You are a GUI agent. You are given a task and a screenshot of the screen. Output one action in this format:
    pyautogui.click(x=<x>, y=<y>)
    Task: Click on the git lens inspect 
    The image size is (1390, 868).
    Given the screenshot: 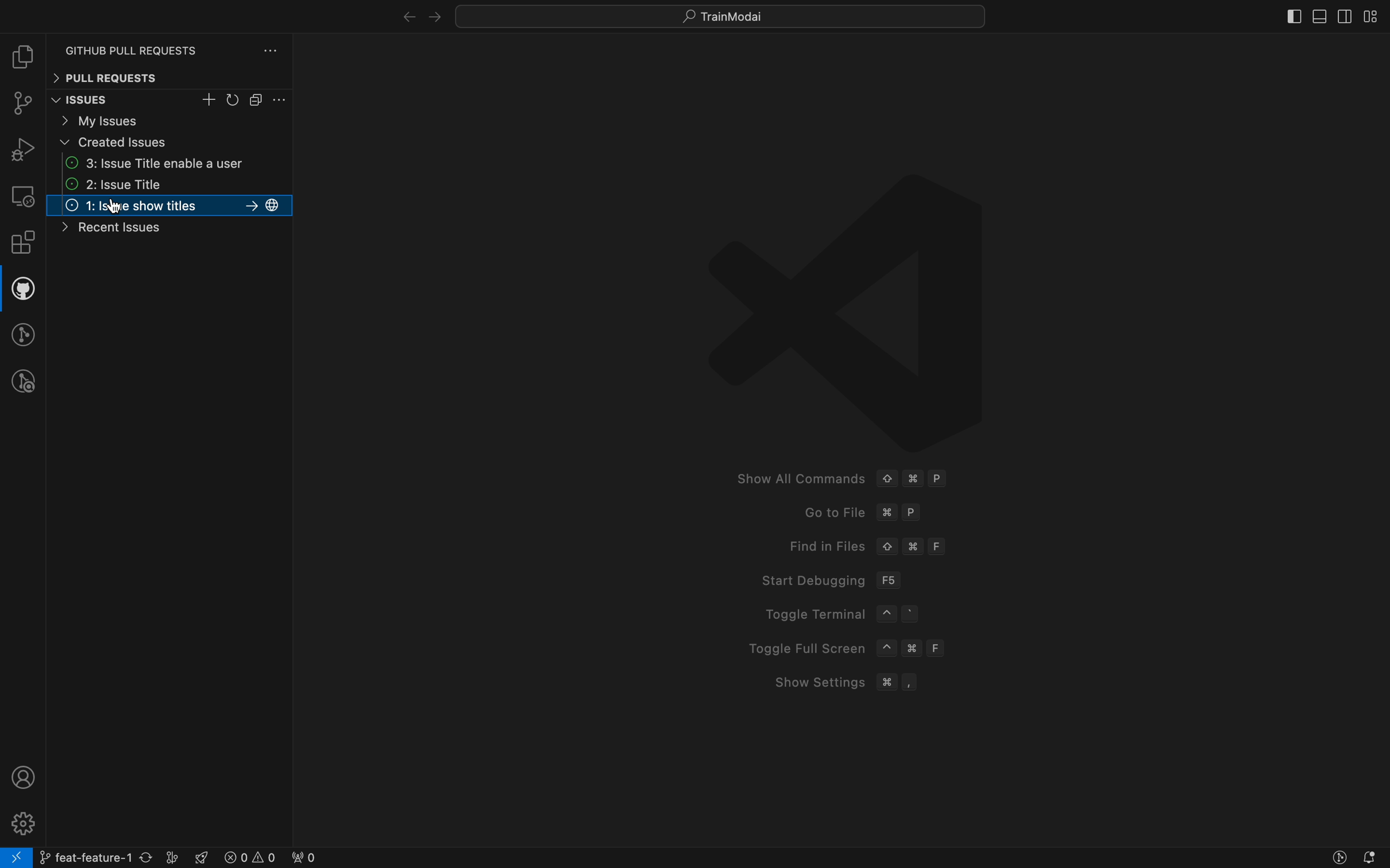 What is the action you would take?
    pyautogui.click(x=24, y=382)
    